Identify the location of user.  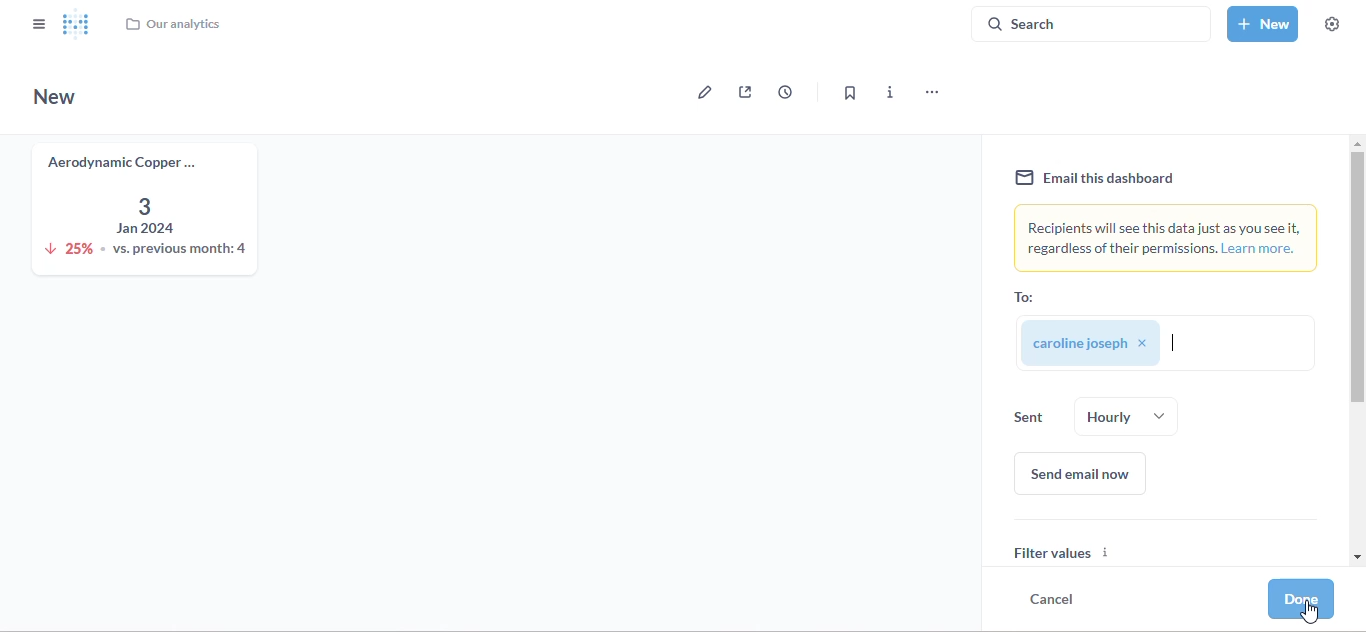
(1087, 413).